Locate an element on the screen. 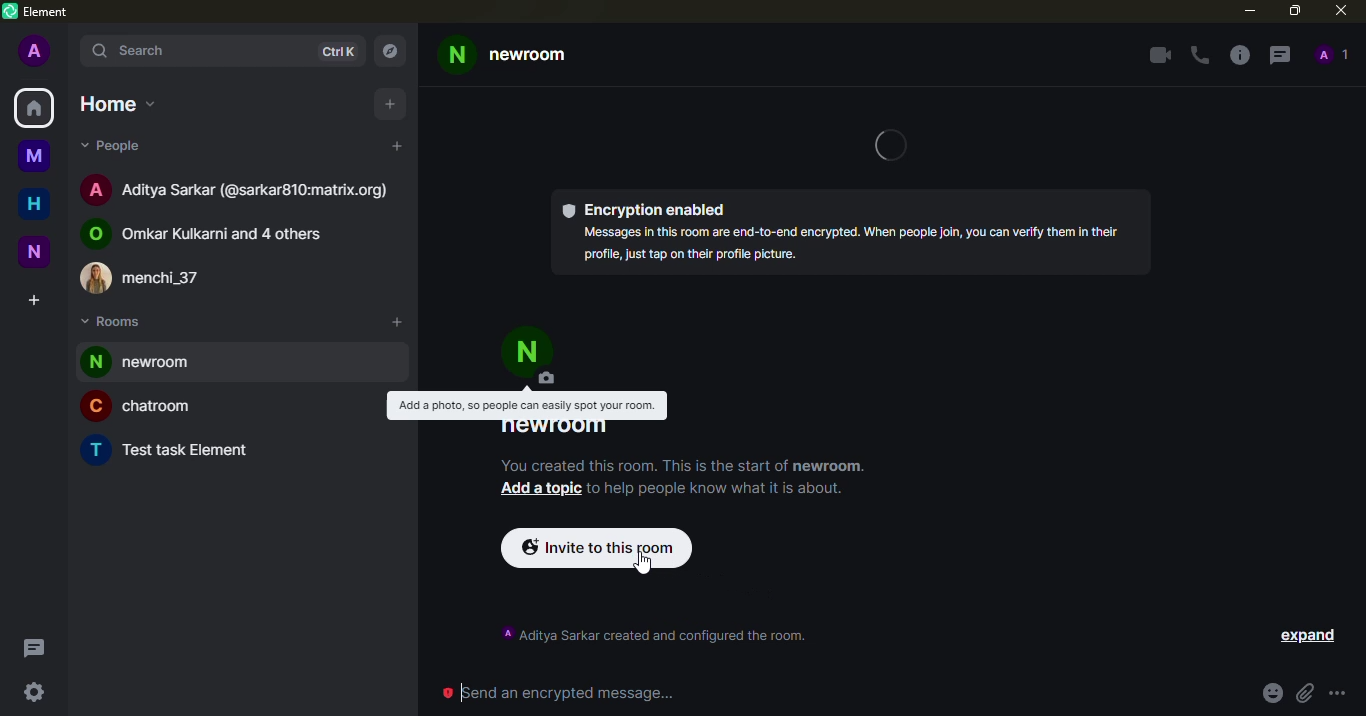 This screenshot has width=1366, height=716. home is located at coordinates (120, 105).